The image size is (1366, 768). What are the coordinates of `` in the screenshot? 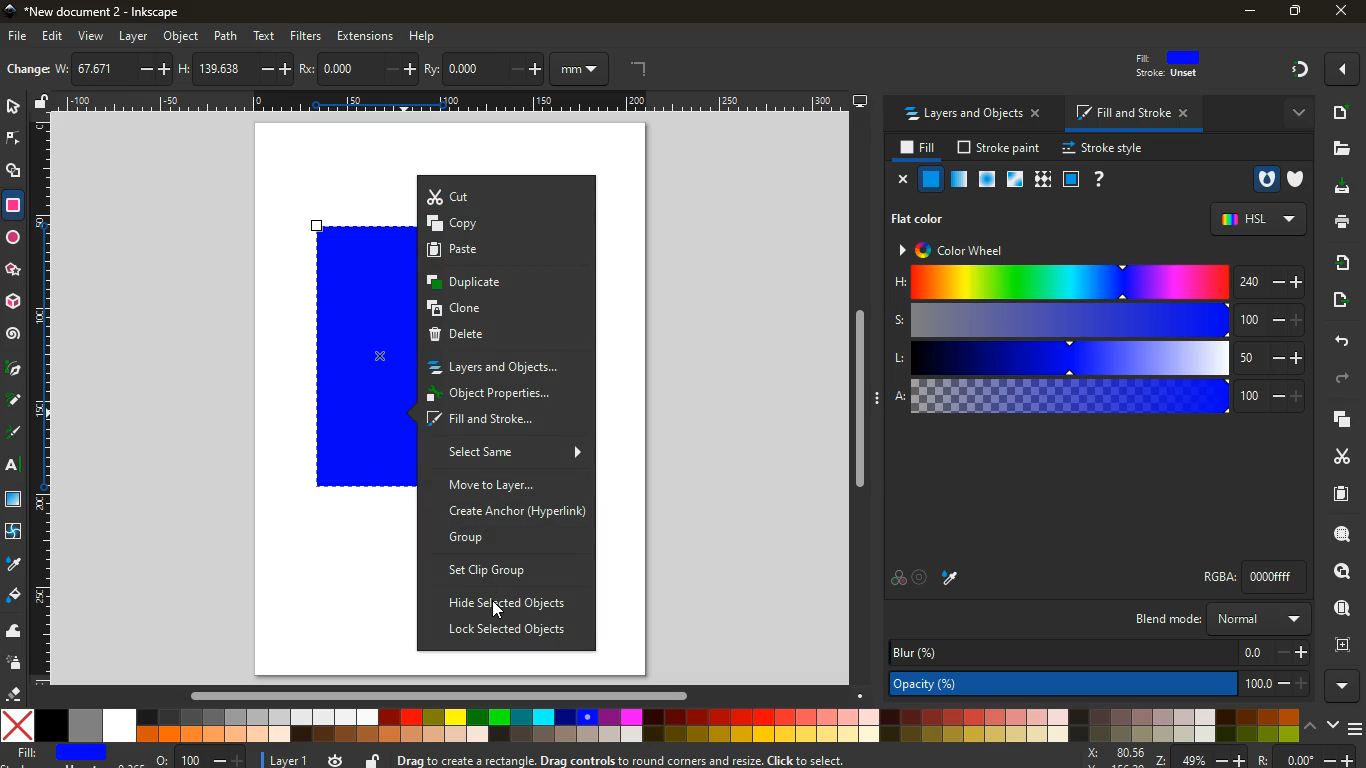 It's located at (857, 399).